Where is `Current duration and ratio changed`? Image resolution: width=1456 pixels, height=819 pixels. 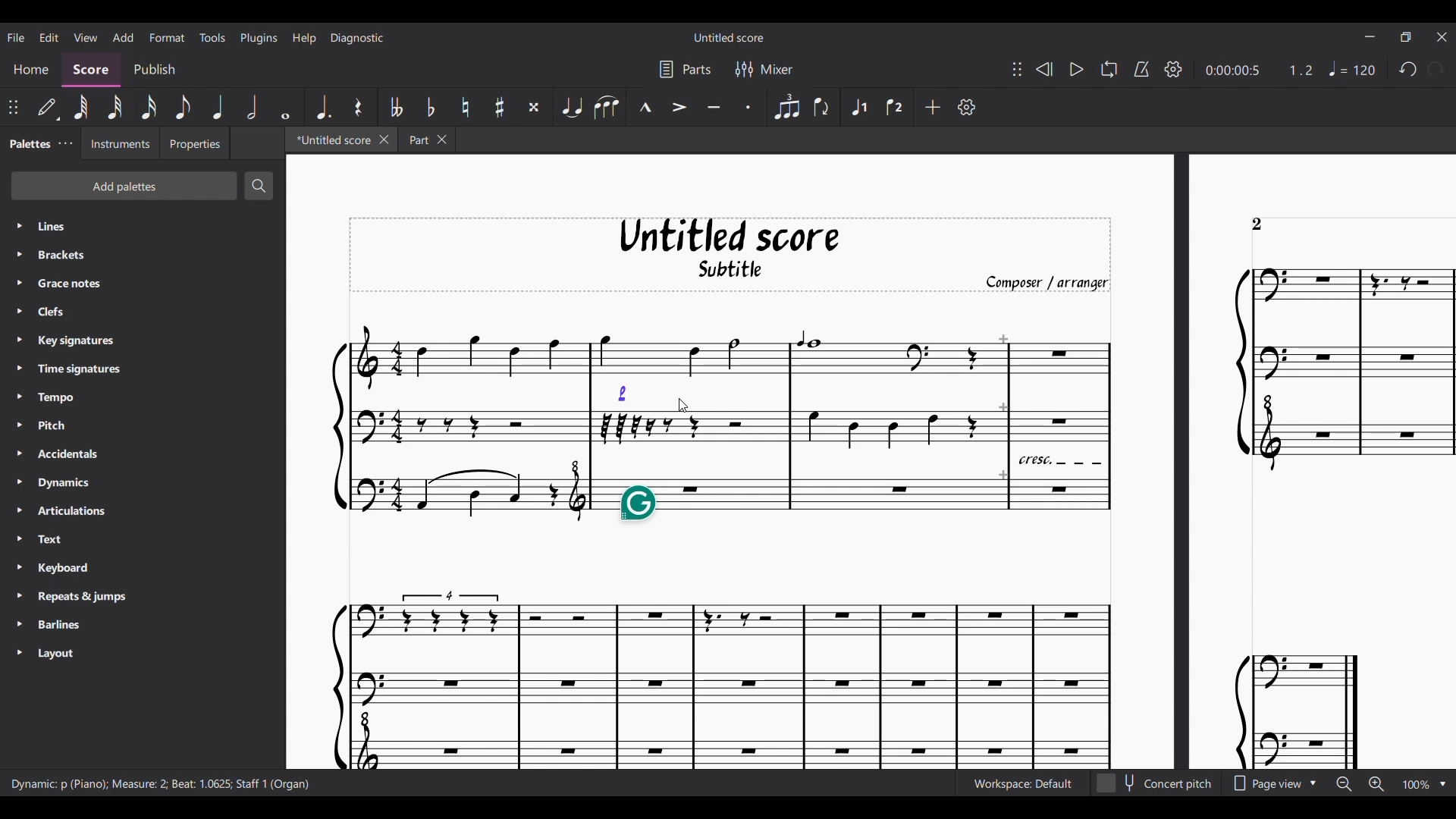
Current duration and ratio changed is located at coordinates (1260, 71).